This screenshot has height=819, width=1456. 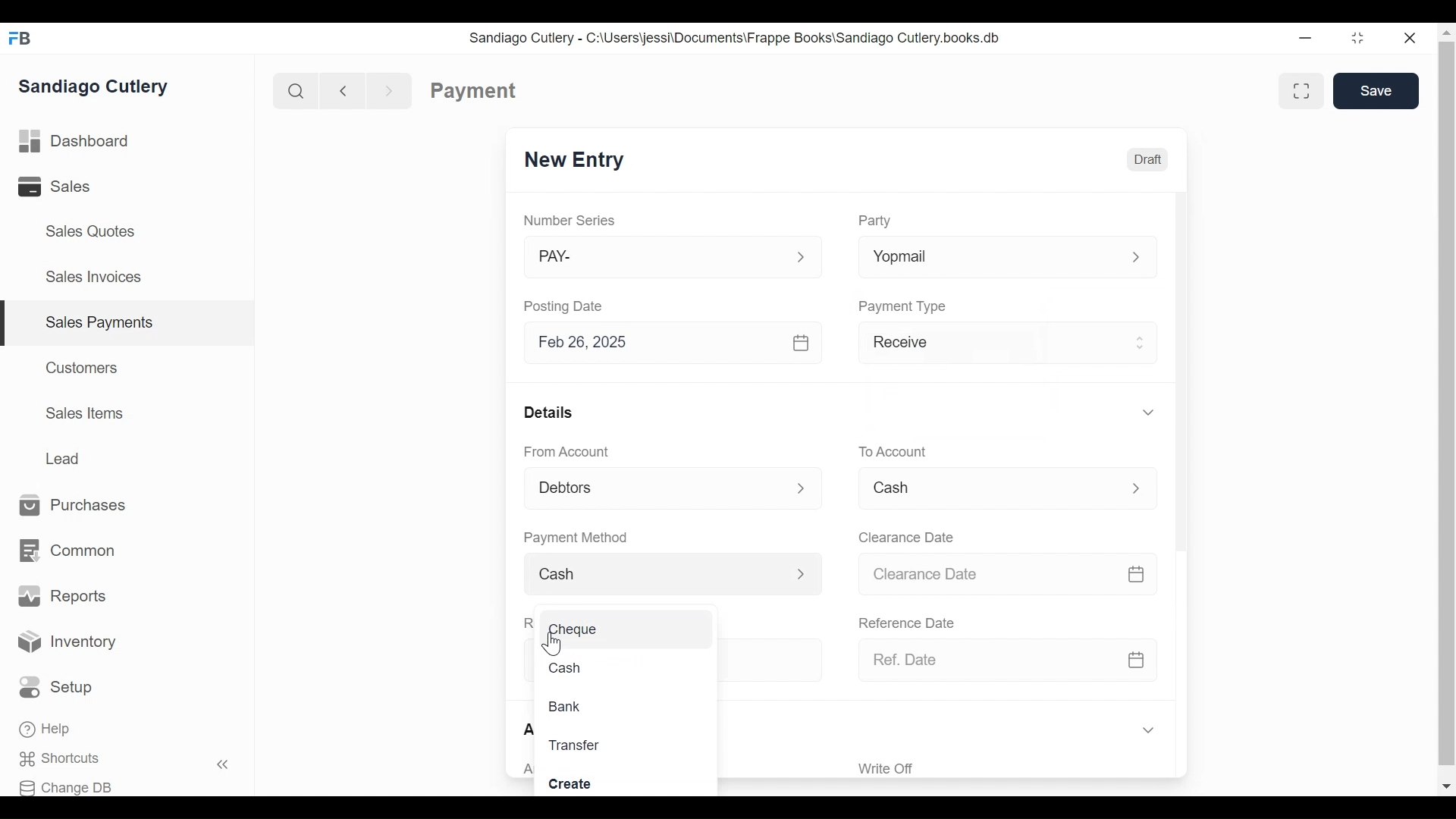 I want to click on Sales Quotes, so click(x=89, y=231).